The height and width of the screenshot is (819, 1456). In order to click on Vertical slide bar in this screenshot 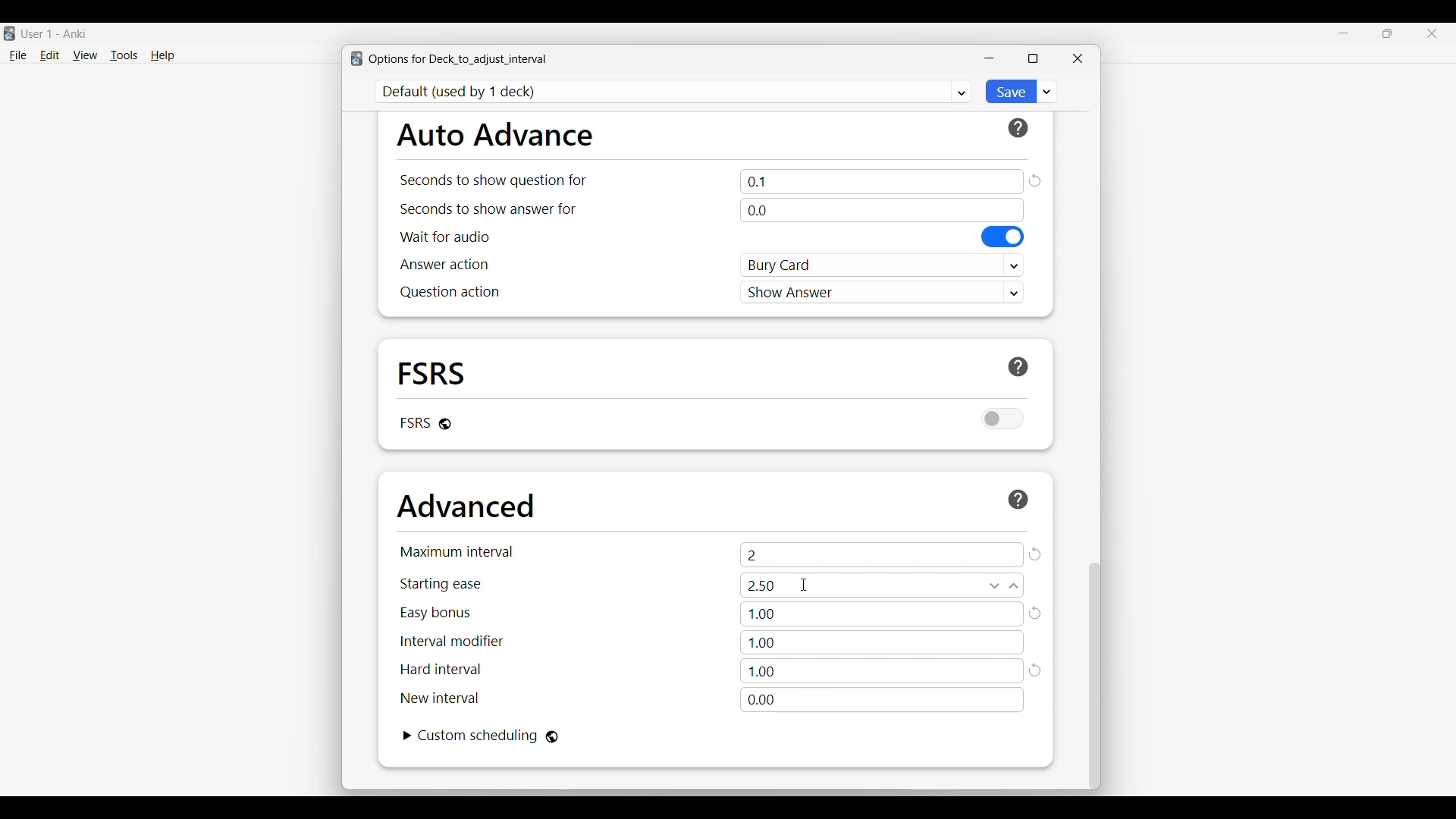, I will do `click(1095, 676)`.